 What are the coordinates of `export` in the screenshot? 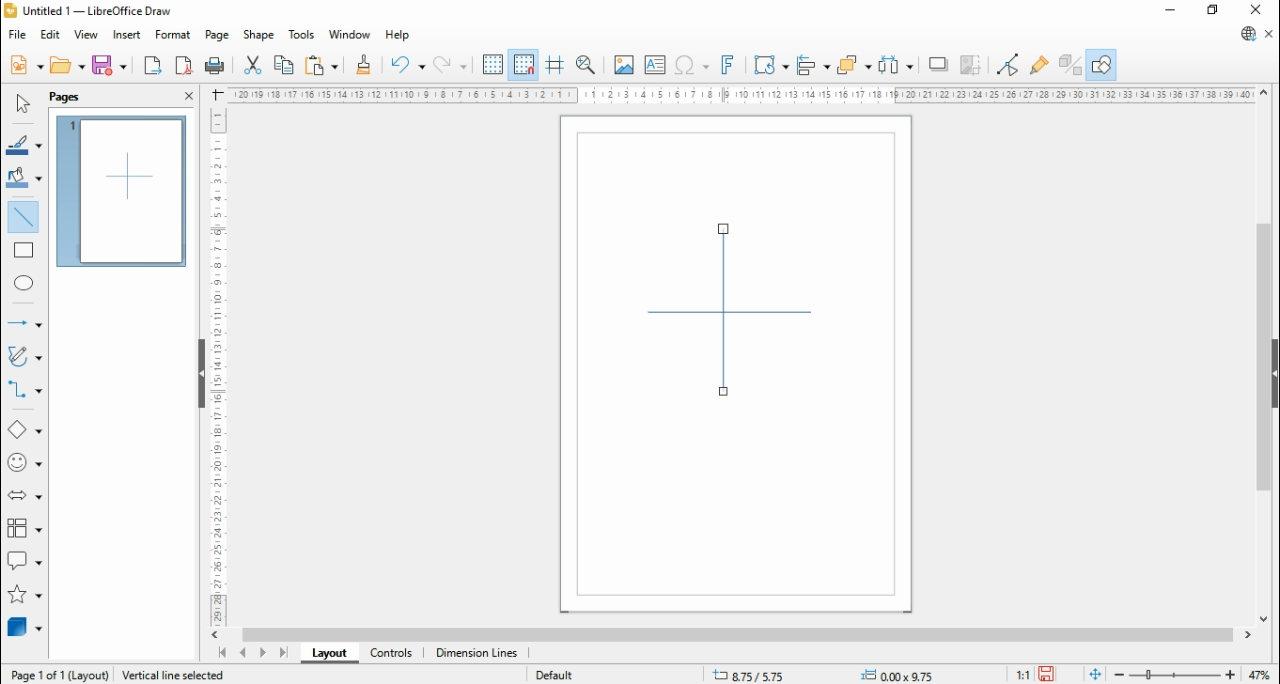 It's located at (152, 65).